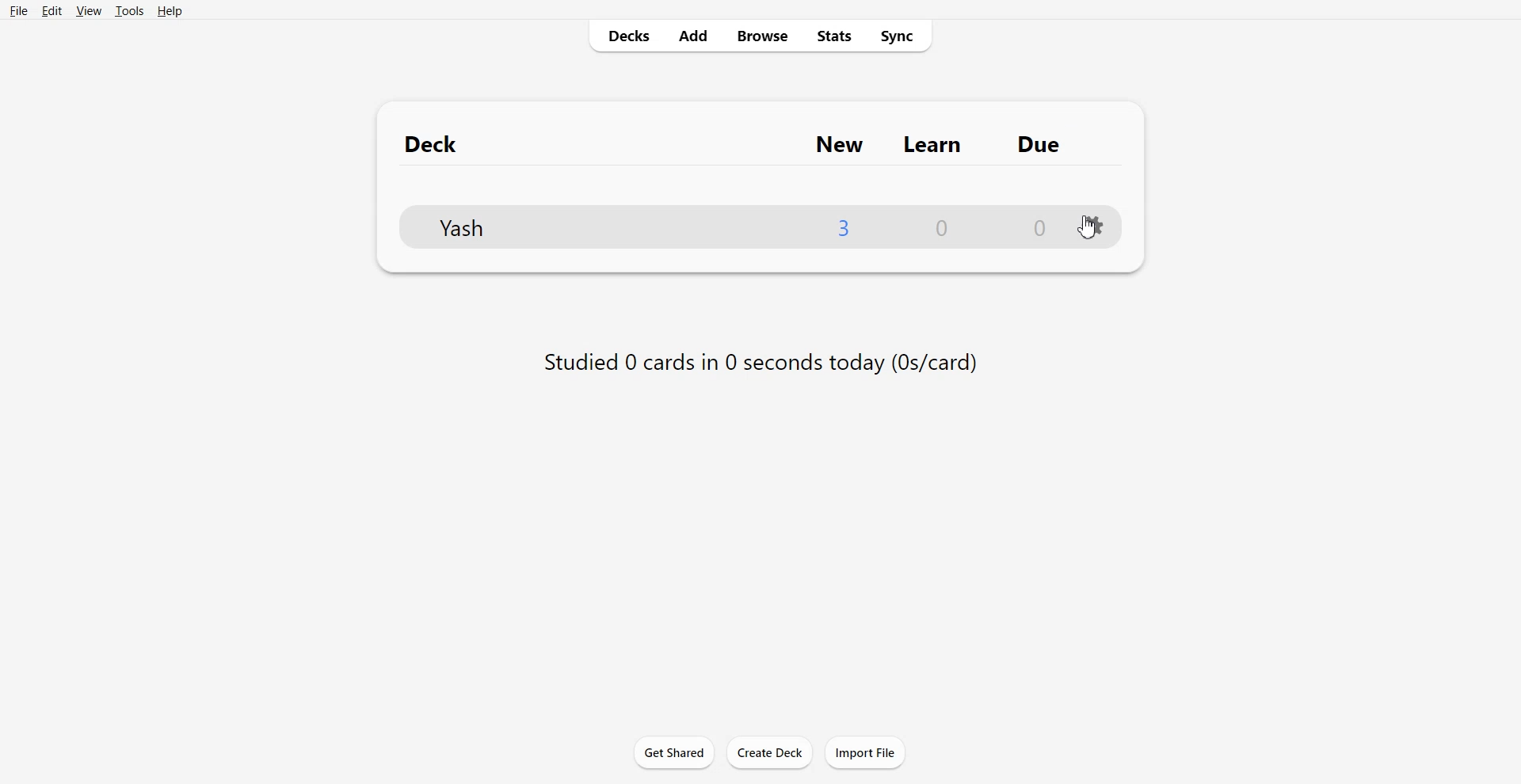 The width and height of the screenshot is (1521, 784). I want to click on Browse, so click(762, 36).